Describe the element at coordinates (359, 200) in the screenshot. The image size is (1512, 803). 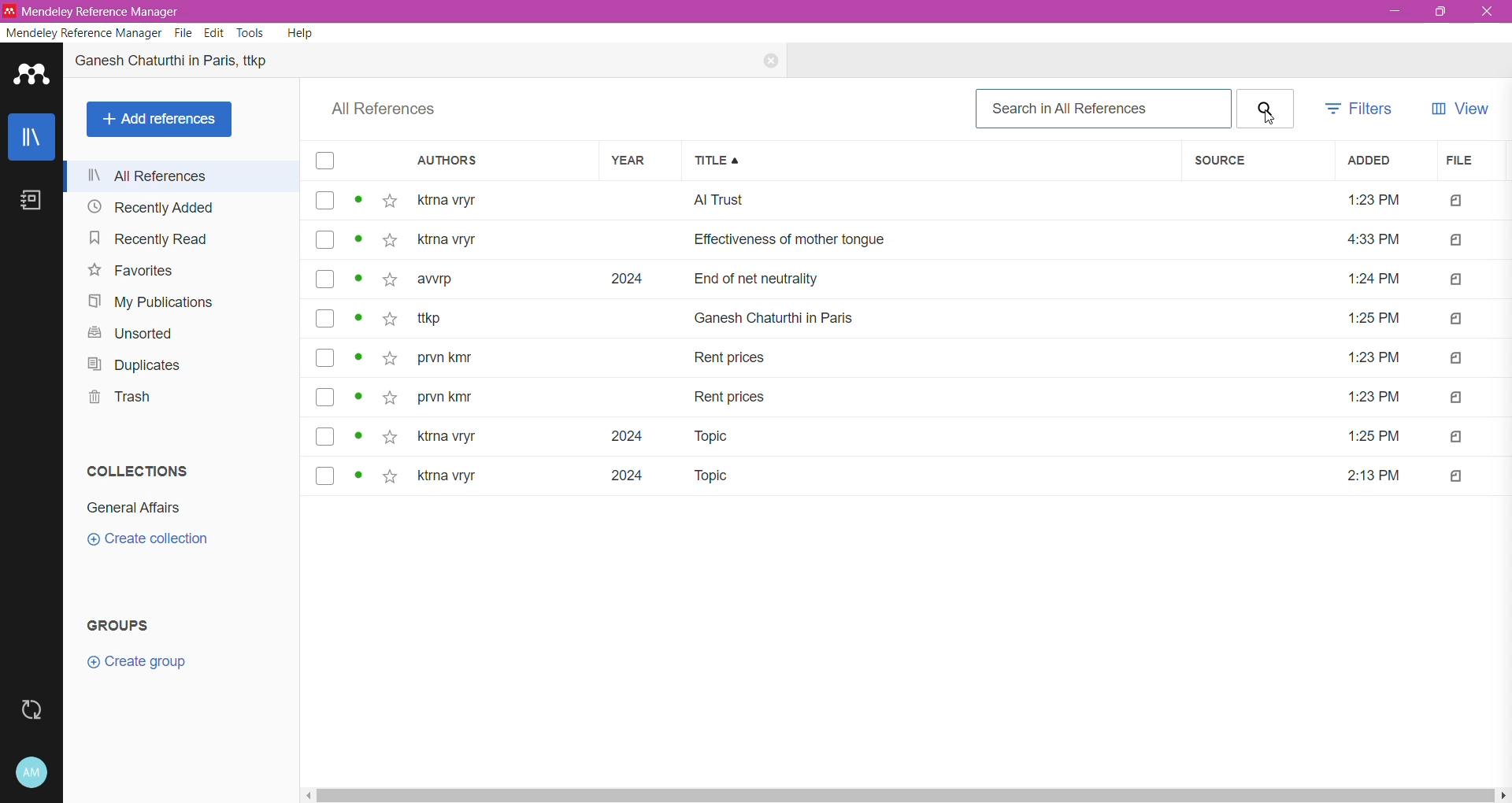
I see `view status` at that location.